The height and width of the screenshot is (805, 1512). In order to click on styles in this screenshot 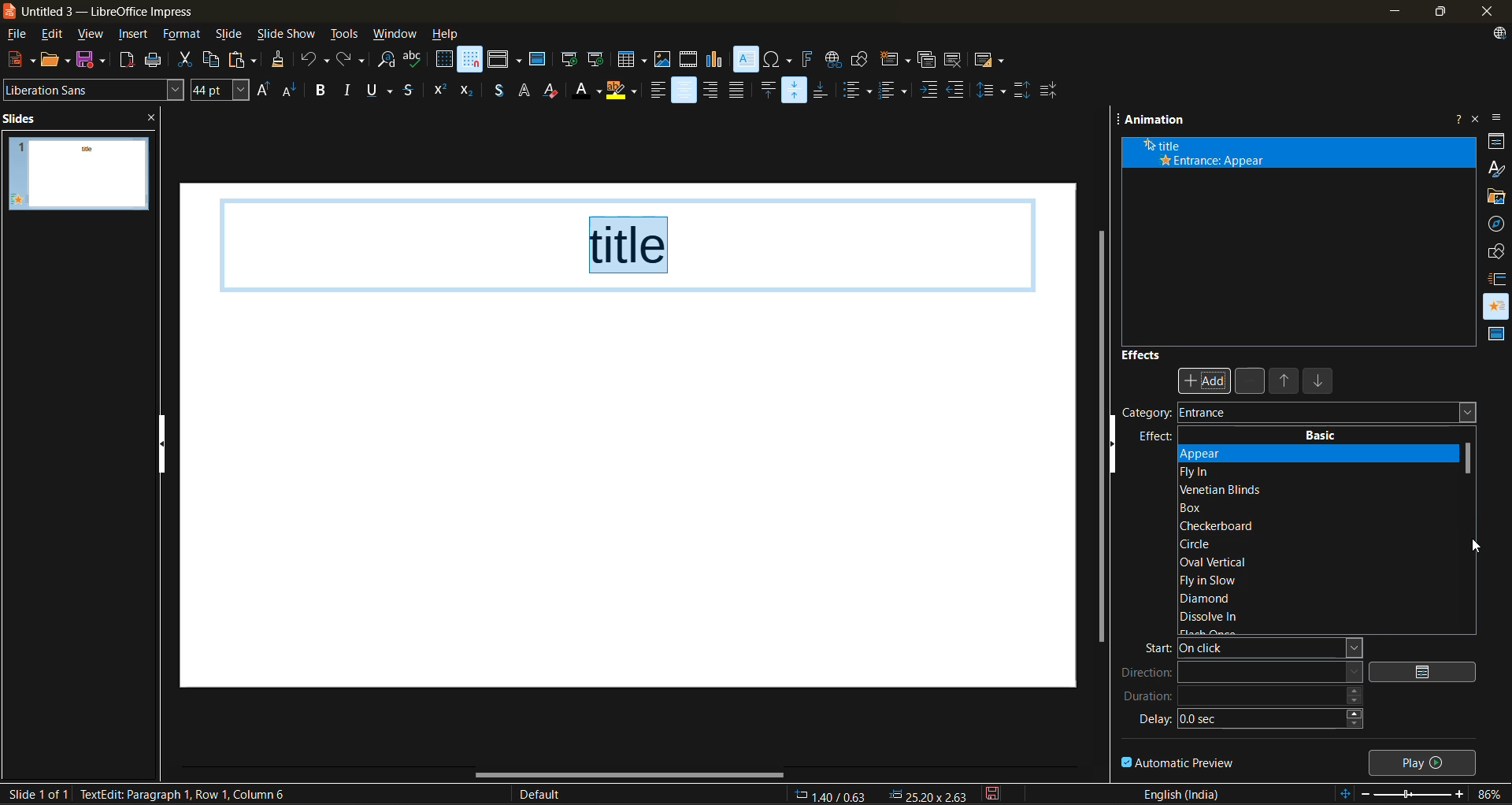, I will do `click(1497, 167)`.